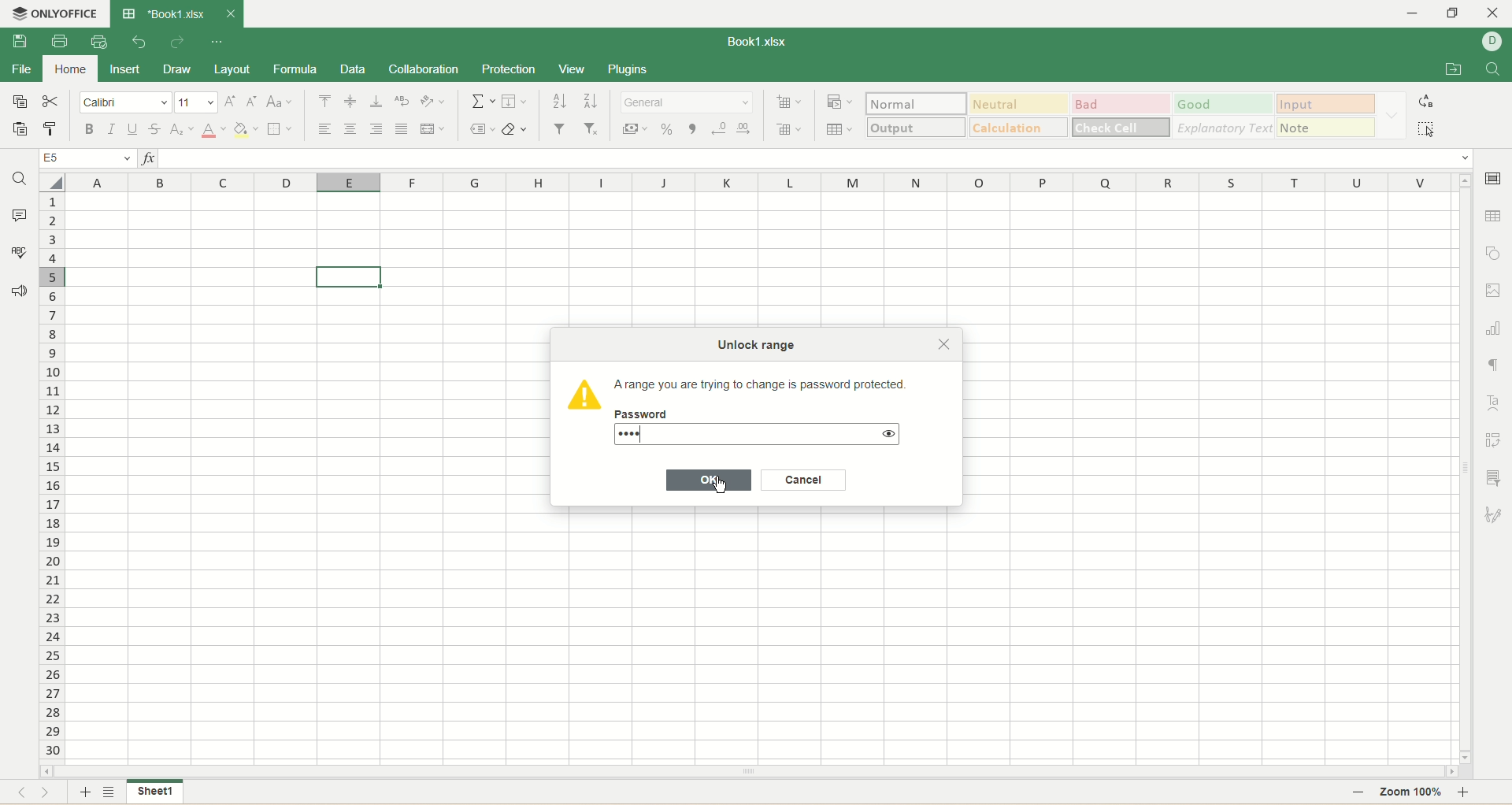 This screenshot has width=1512, height=805. I want to click on data, so click(353, 69).